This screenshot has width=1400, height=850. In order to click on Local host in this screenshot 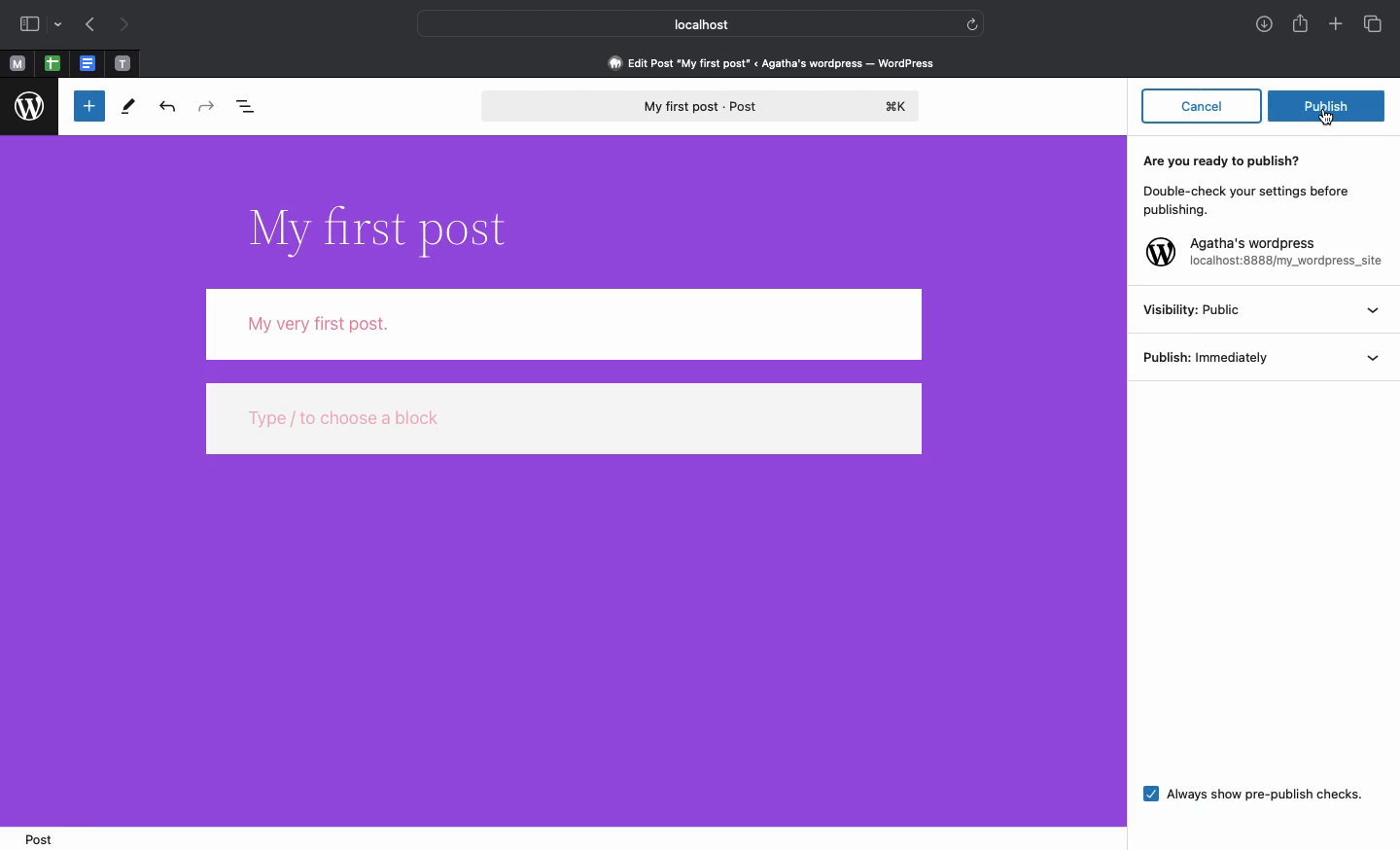, I will do `click(686, 21)`.